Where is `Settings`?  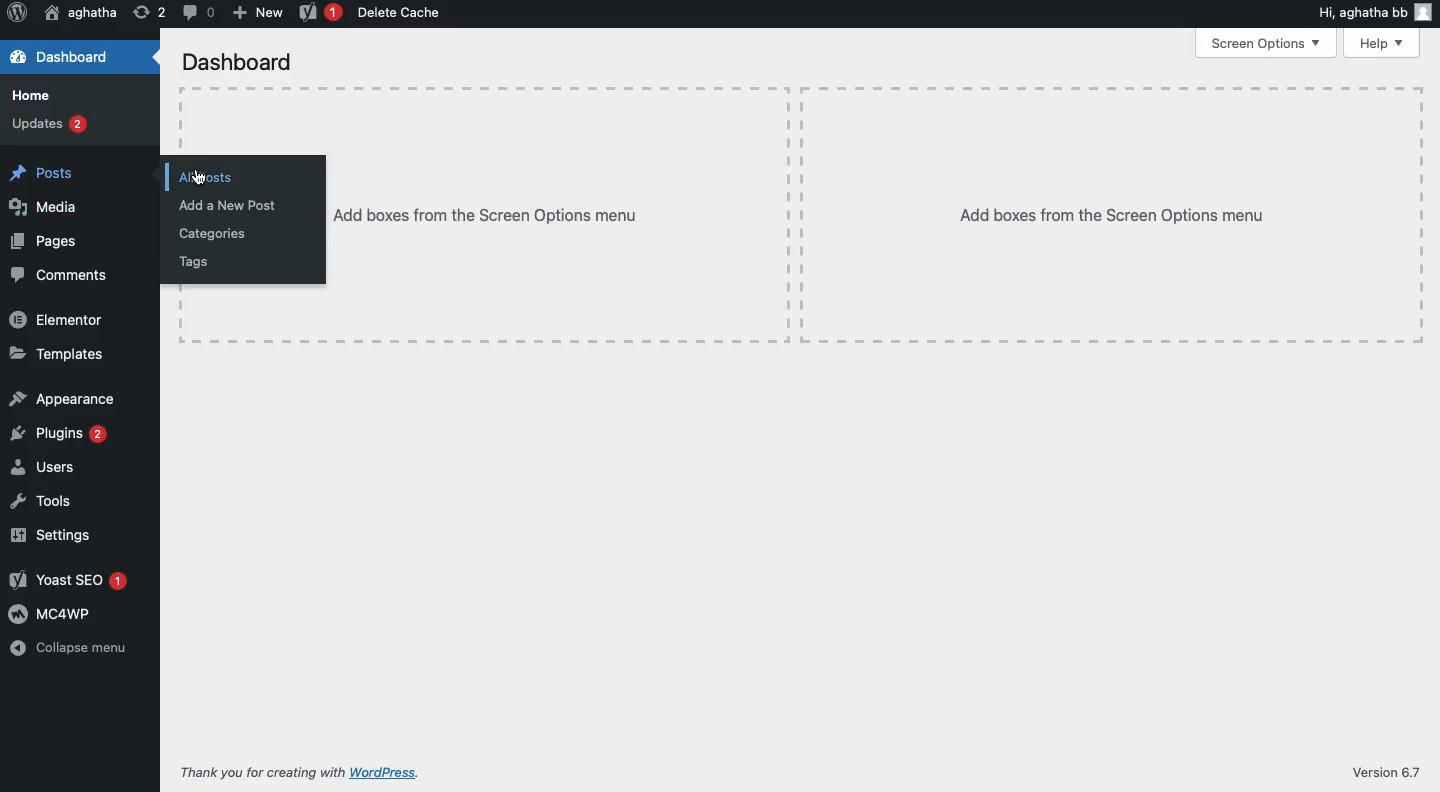
Settings is located at coordinates (53, 533).